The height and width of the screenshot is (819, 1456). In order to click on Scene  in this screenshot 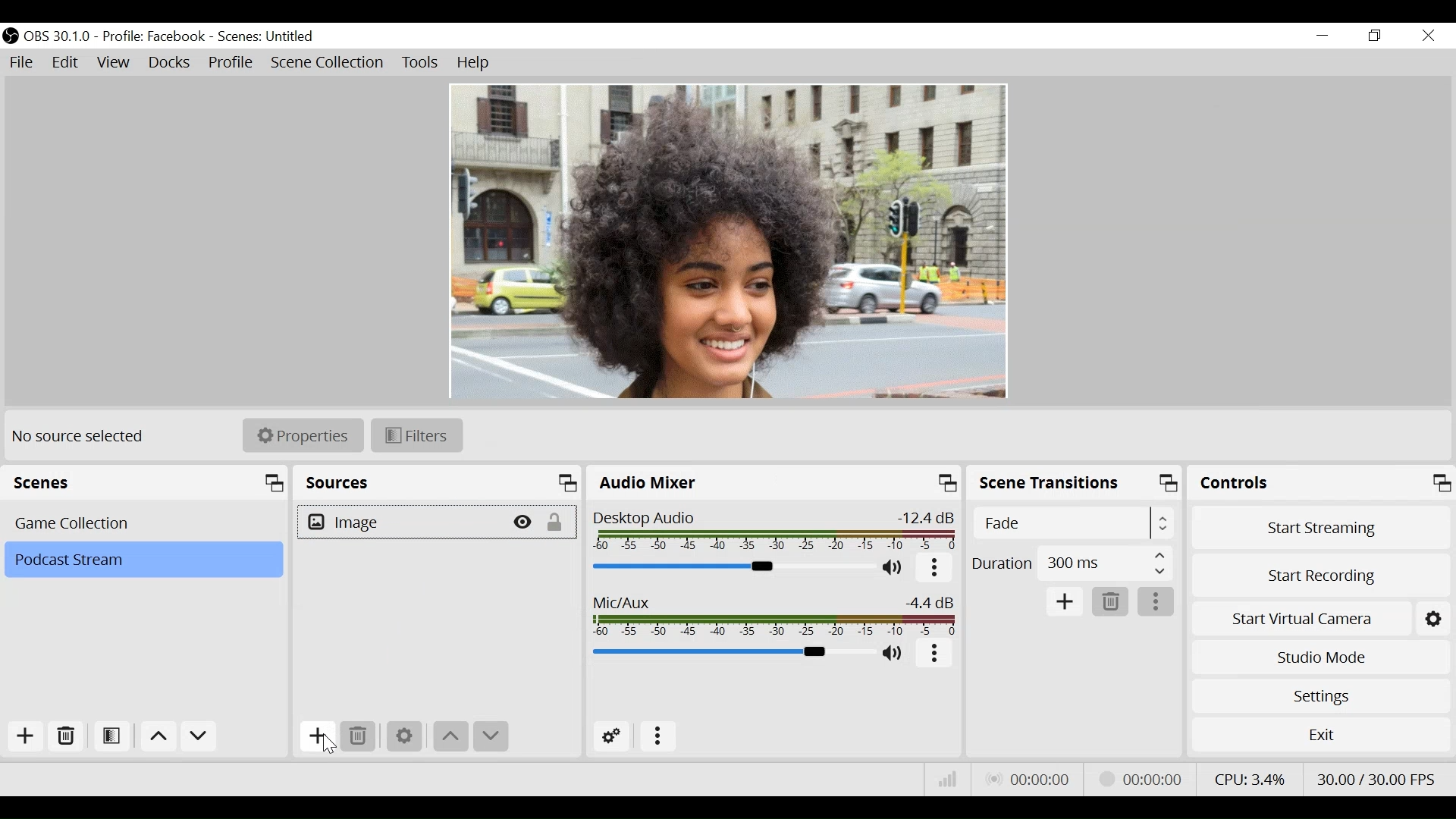, I will do `click(143, 560)`.